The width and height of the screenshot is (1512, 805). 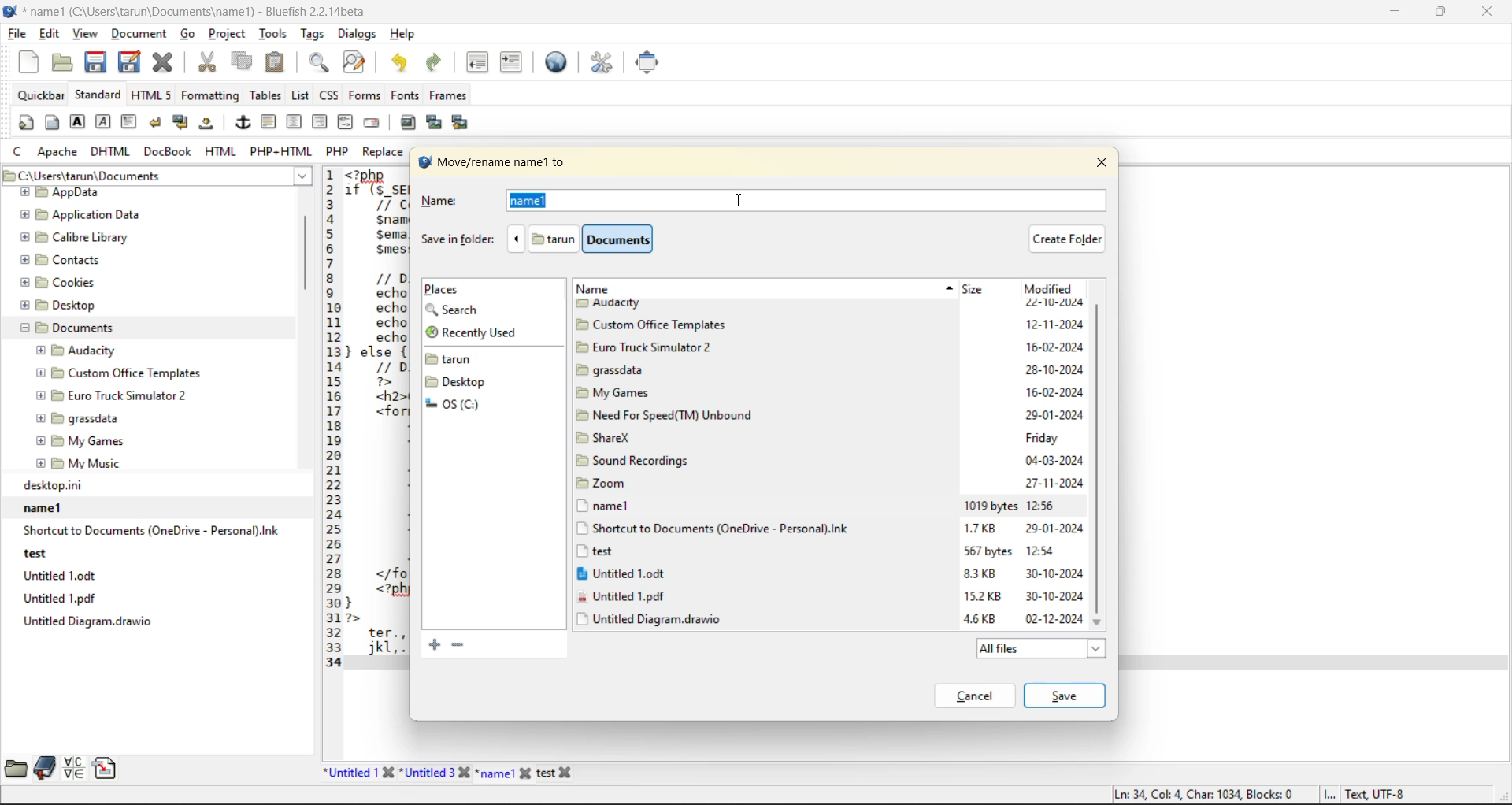 What do you see at coordinates (280, 63) in the screenshot?
I see `paste` at bounding box center [280, 63].